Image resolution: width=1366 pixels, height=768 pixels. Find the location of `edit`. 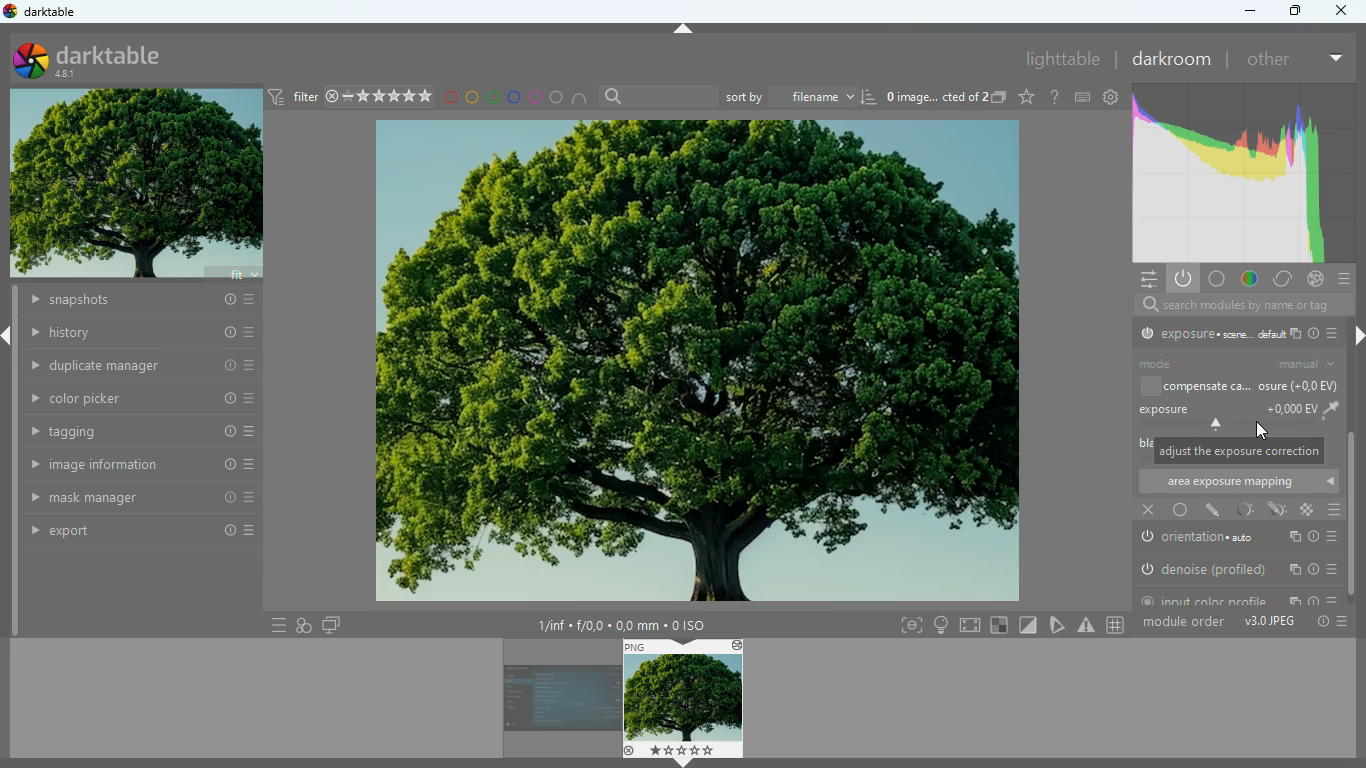

edit is located at coordinates (1275, 507).